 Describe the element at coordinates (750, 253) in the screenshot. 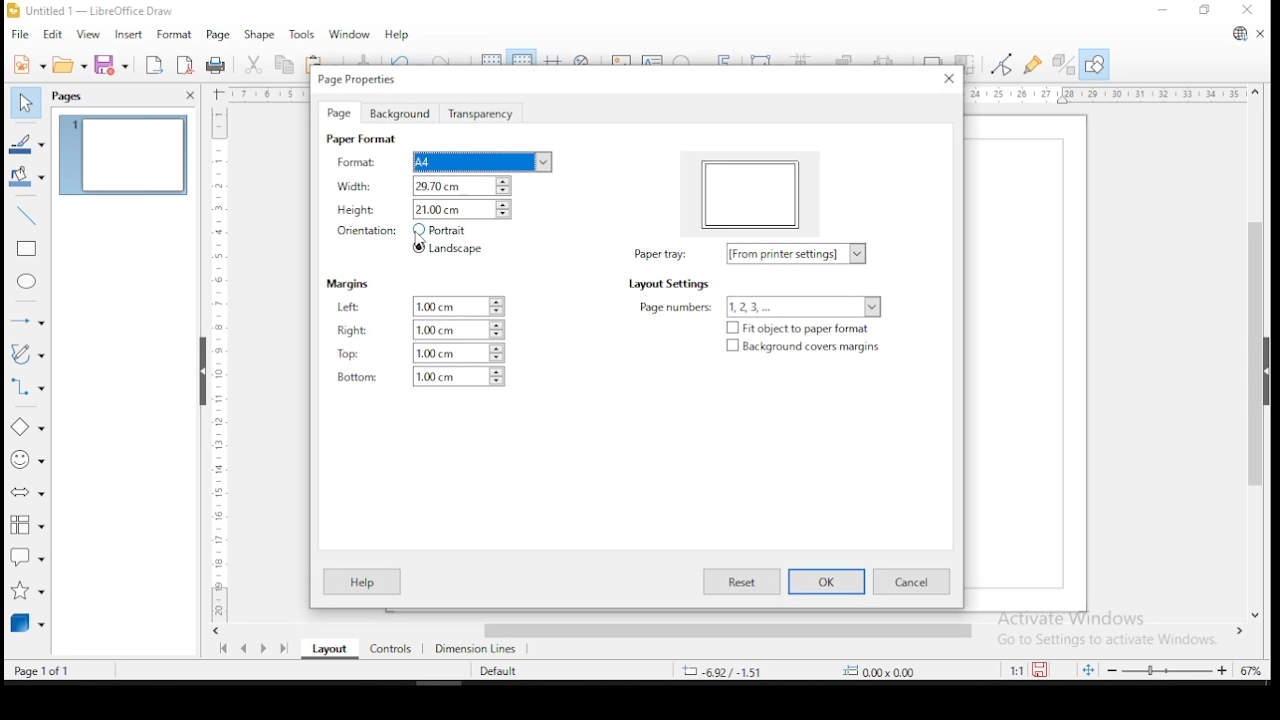

I see `layout settings` at that location.